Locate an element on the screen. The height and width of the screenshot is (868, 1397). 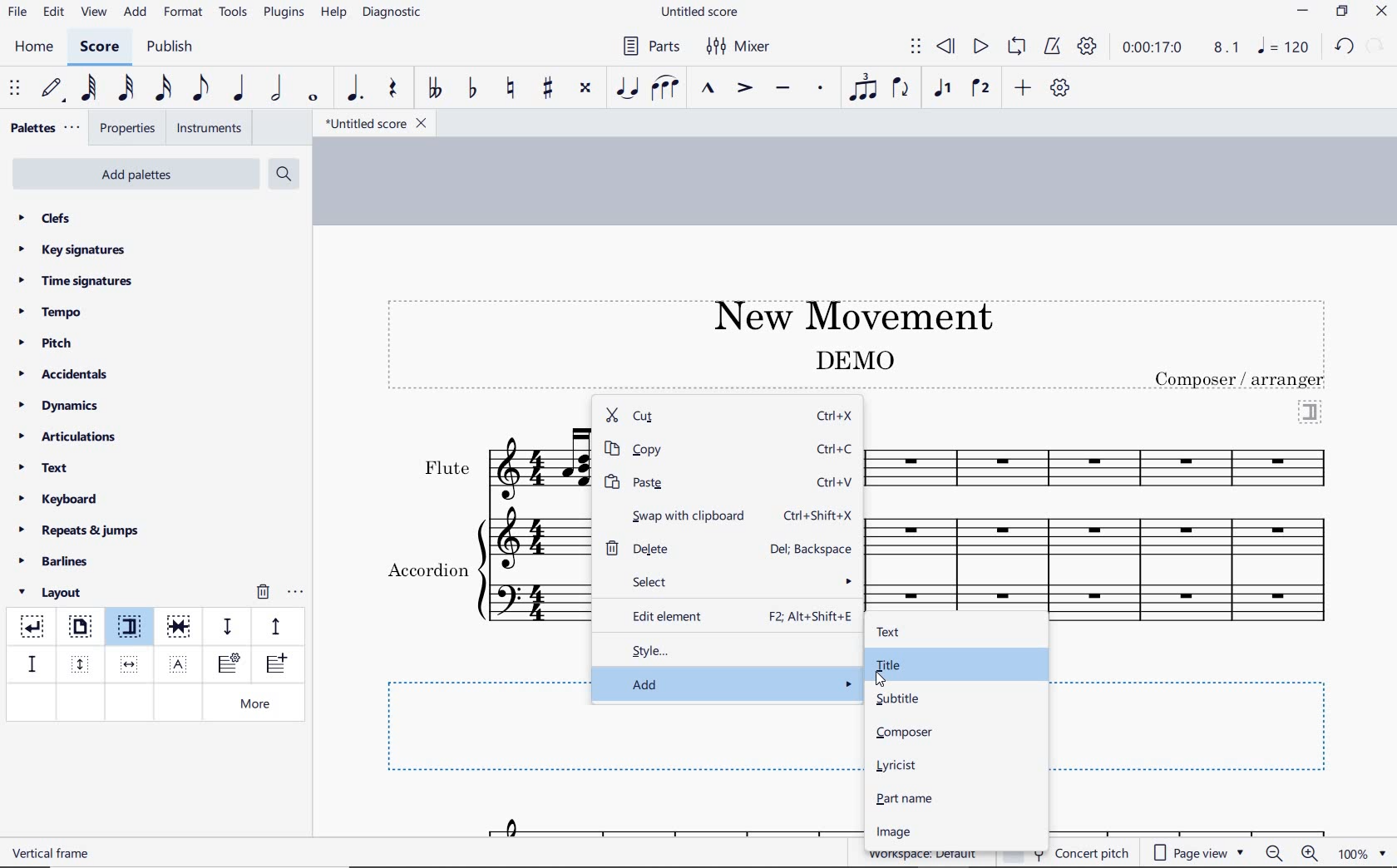
repeats & jumps is located at coordinates (79, 528).